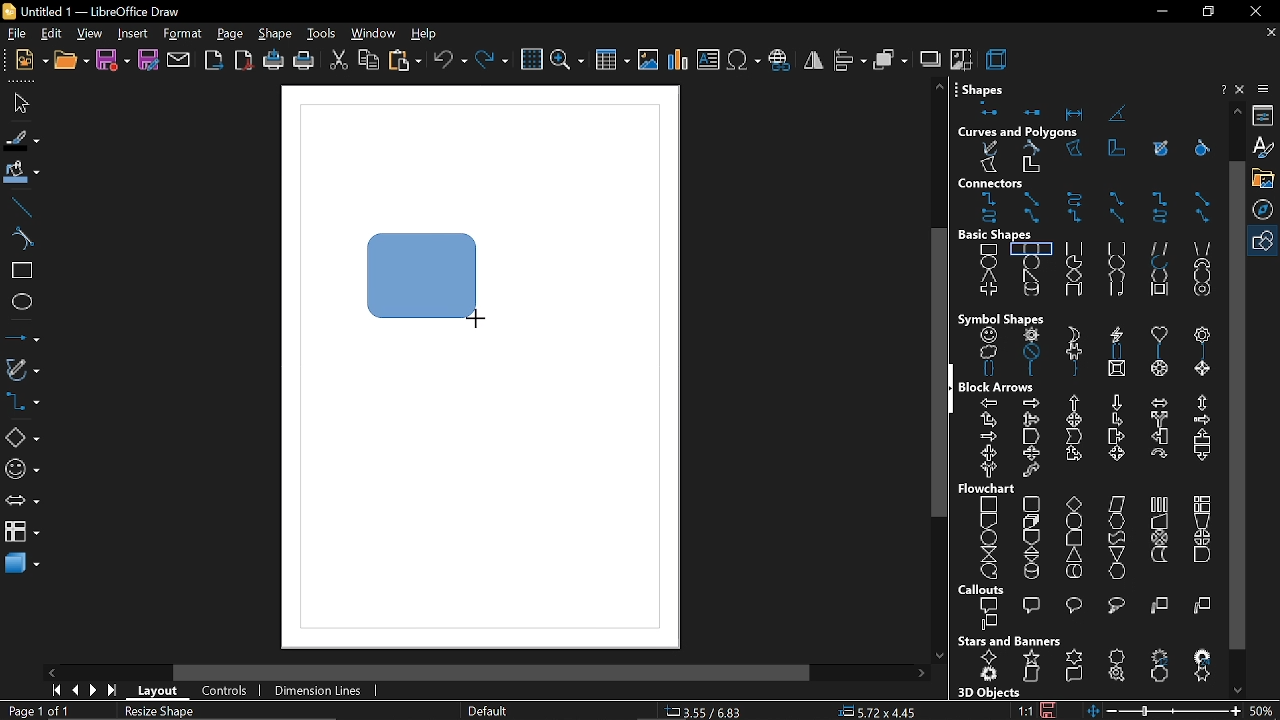 The image size is (1280, 720). Describe the element at coordinates (20, 565) in the screenshot. I see `3d shapes` at that location.